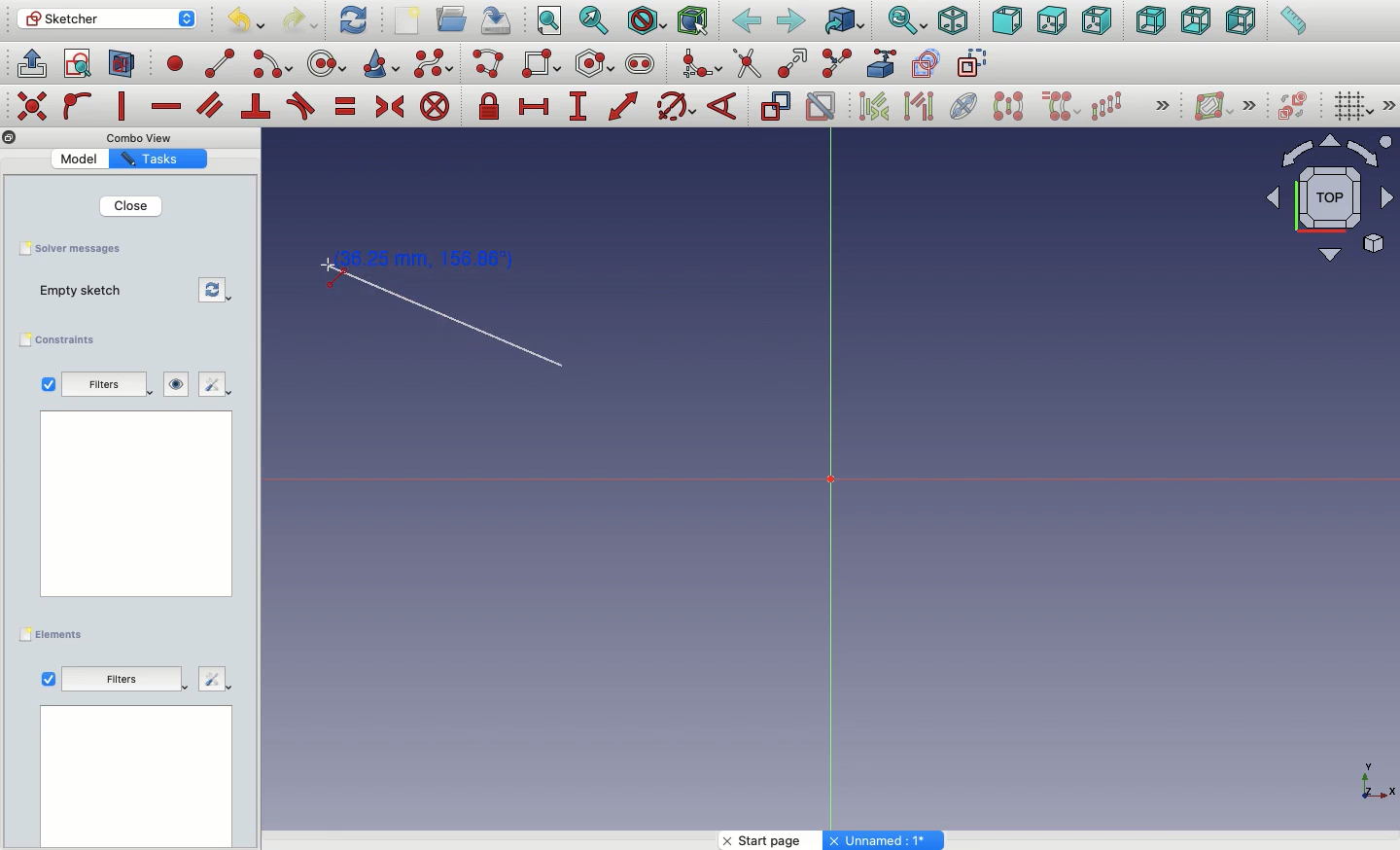 The image size is (1400, 850). I want to click on Constraints , so click(62, 339).